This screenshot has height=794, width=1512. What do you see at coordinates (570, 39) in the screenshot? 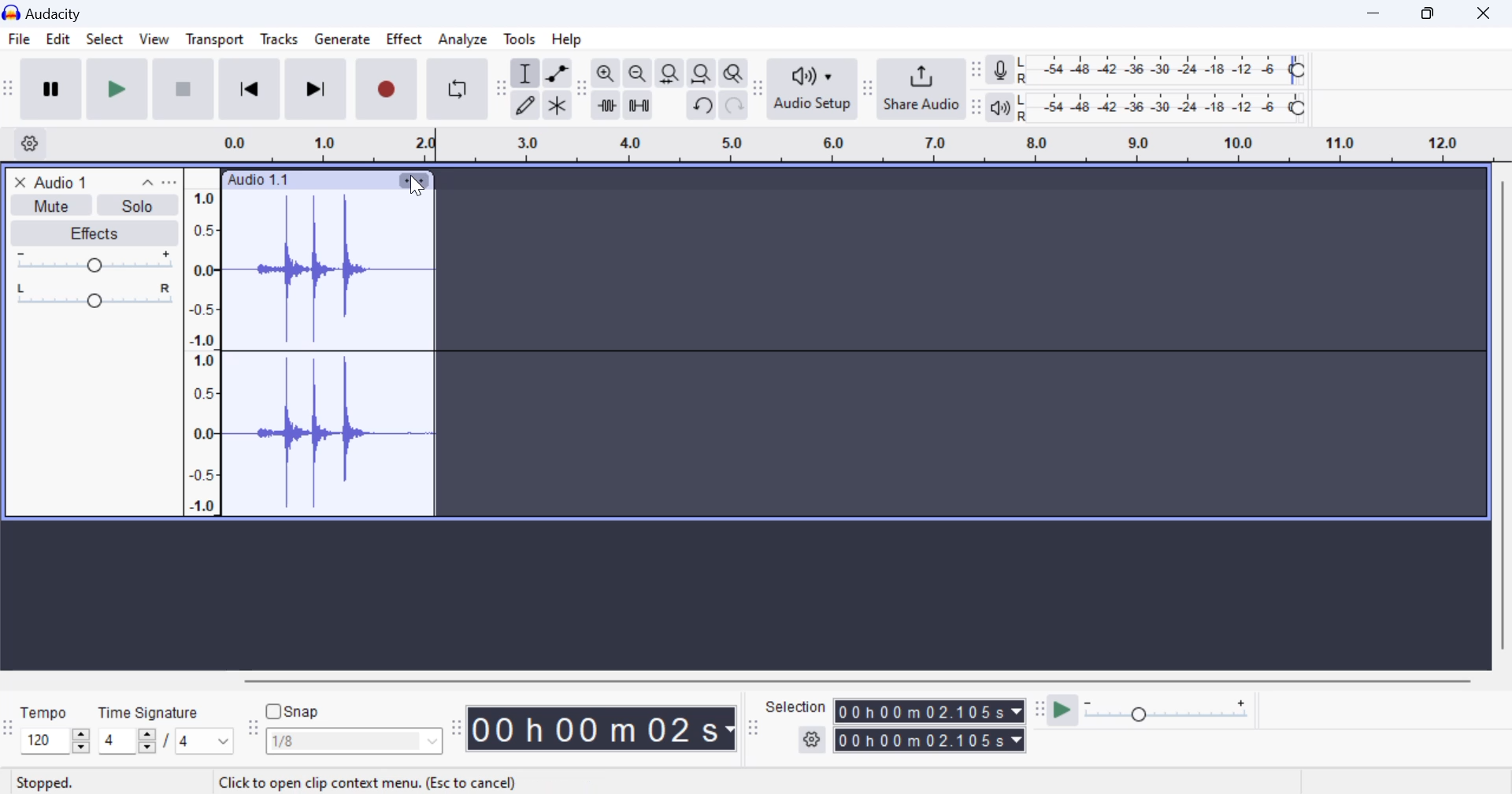
I see `Help` at bounding box center [570, 39].